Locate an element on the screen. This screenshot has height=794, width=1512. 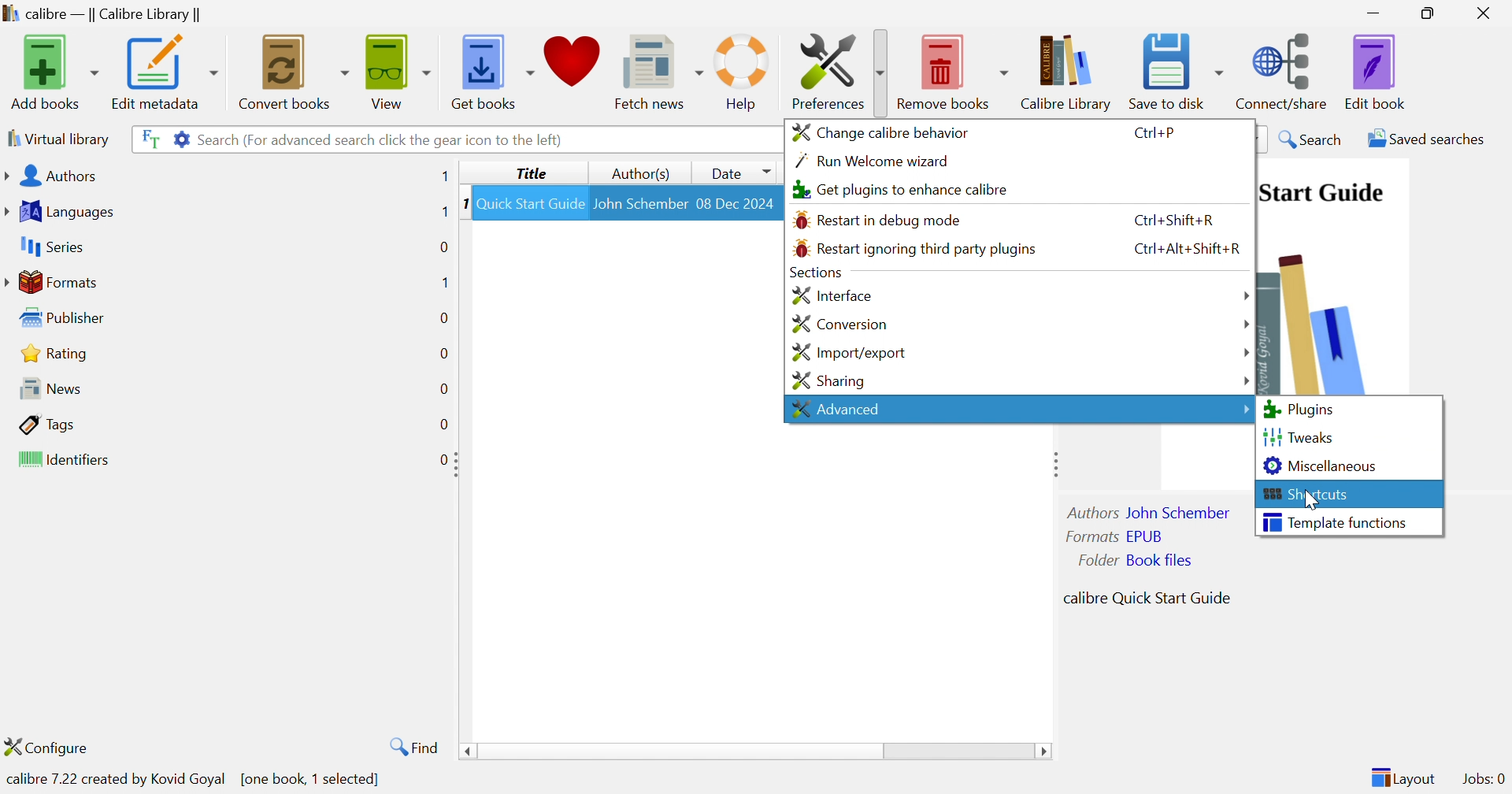
Languages is located at coordinates (62, 212).